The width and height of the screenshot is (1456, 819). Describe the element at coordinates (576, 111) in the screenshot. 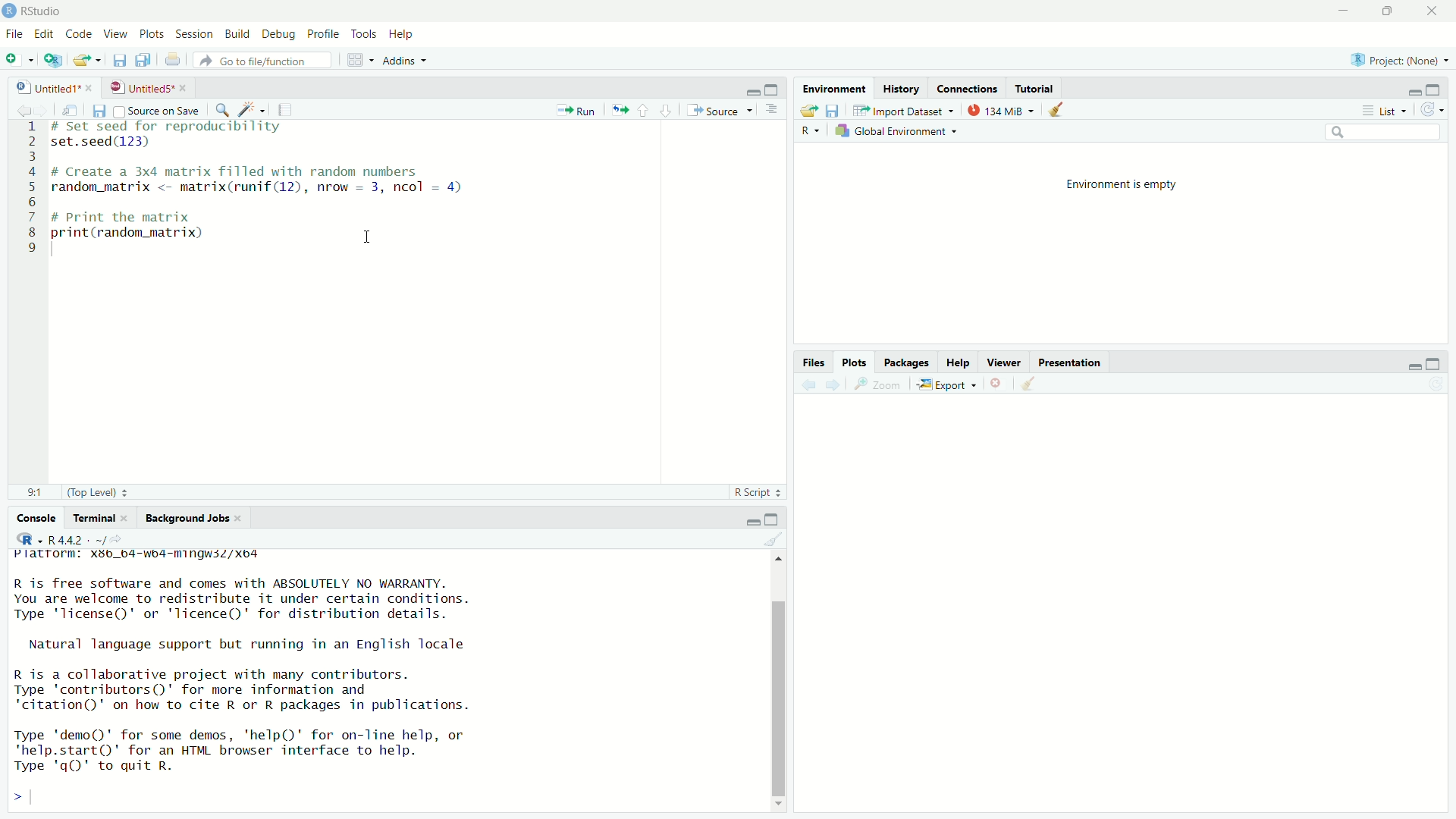

I see `Run` at that location.